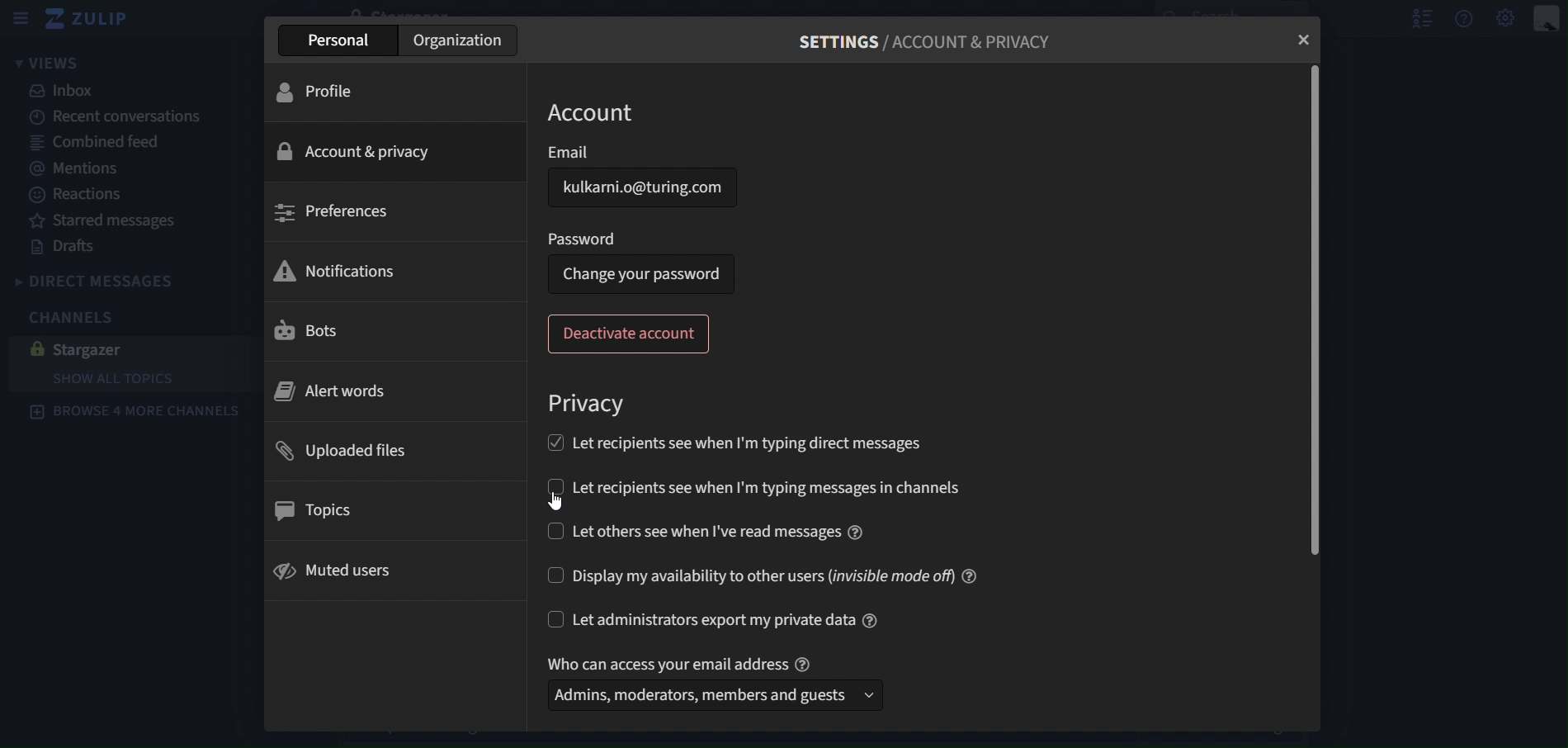 The width and height of the screenshot is (1568, 748). Describe the element at coordinates (130, 378) in the screenshot. I see `show all topics` at that location.